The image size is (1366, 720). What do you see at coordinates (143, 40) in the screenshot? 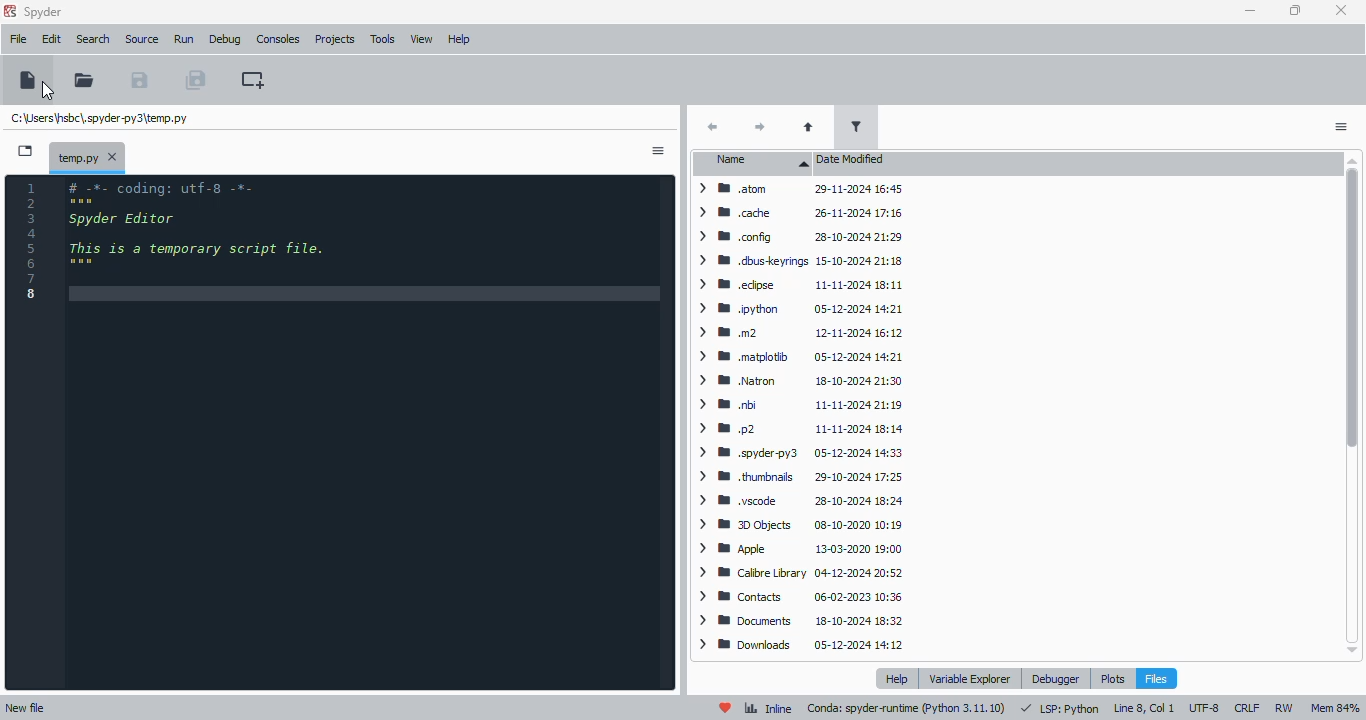
I see `source` at bounding box center [143, 40].